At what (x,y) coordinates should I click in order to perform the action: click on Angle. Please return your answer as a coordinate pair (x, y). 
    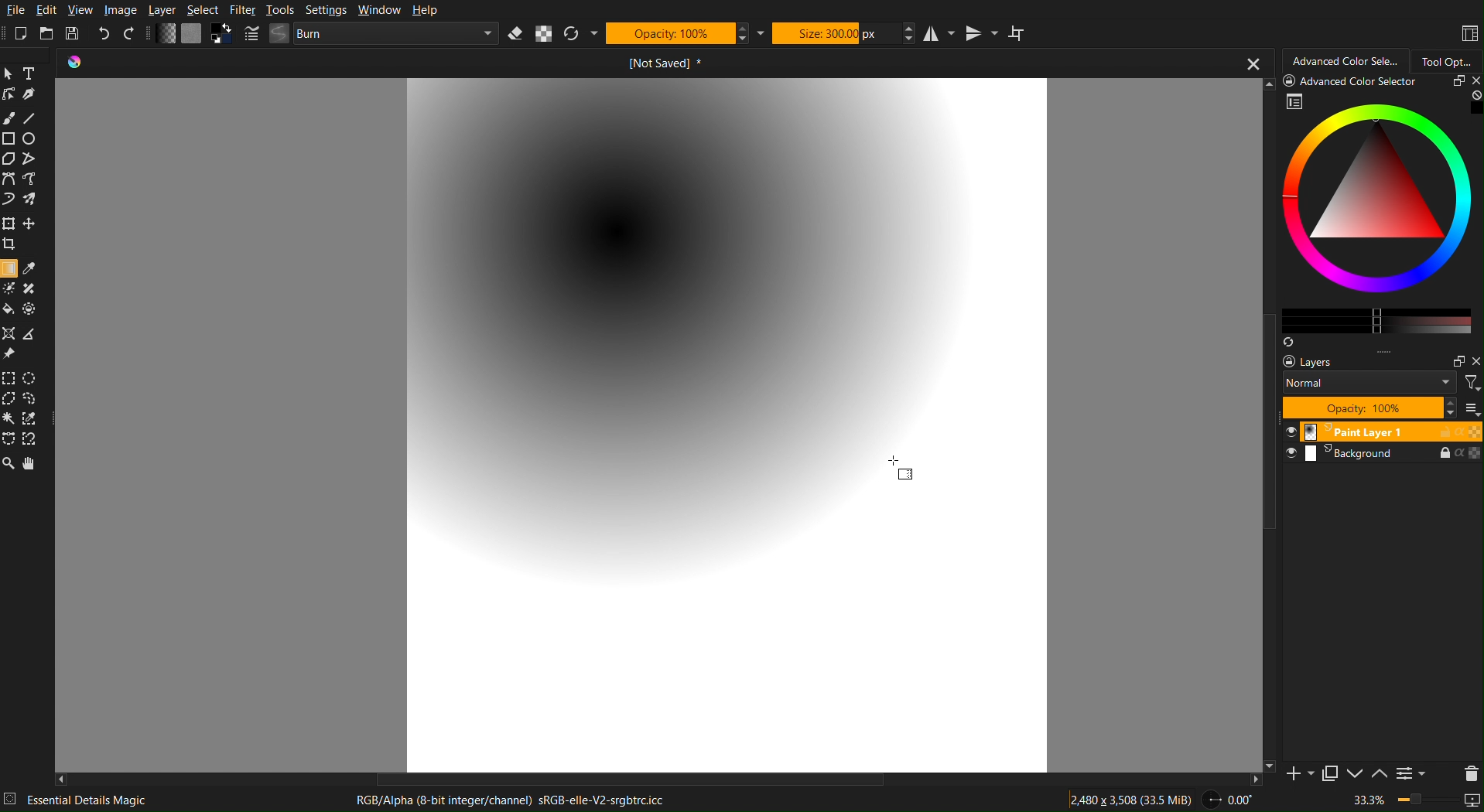
    Looking at the image, I should click on (1229, 800).